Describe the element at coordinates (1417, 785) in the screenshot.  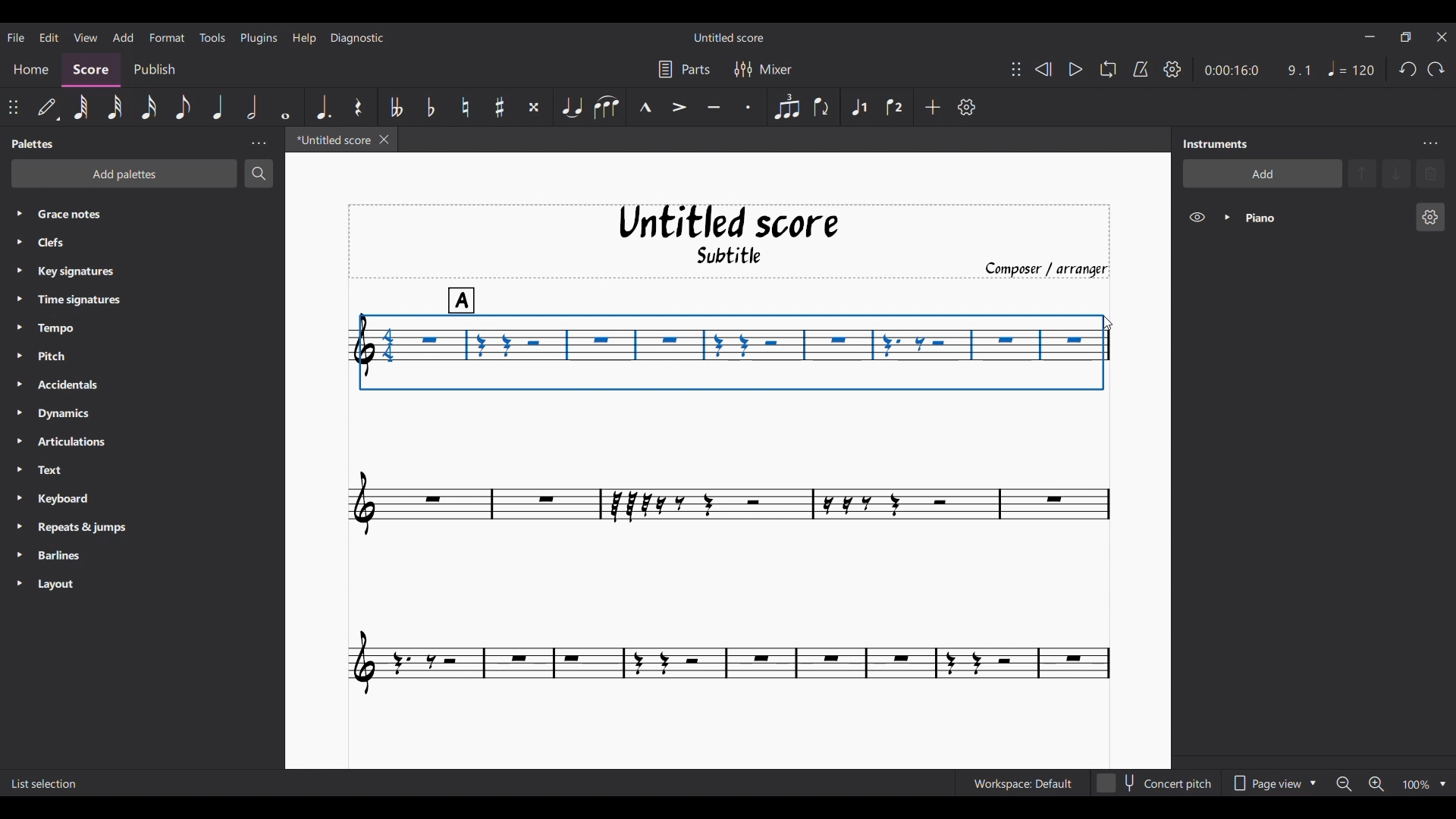
I see `Zoom factor` at that location.